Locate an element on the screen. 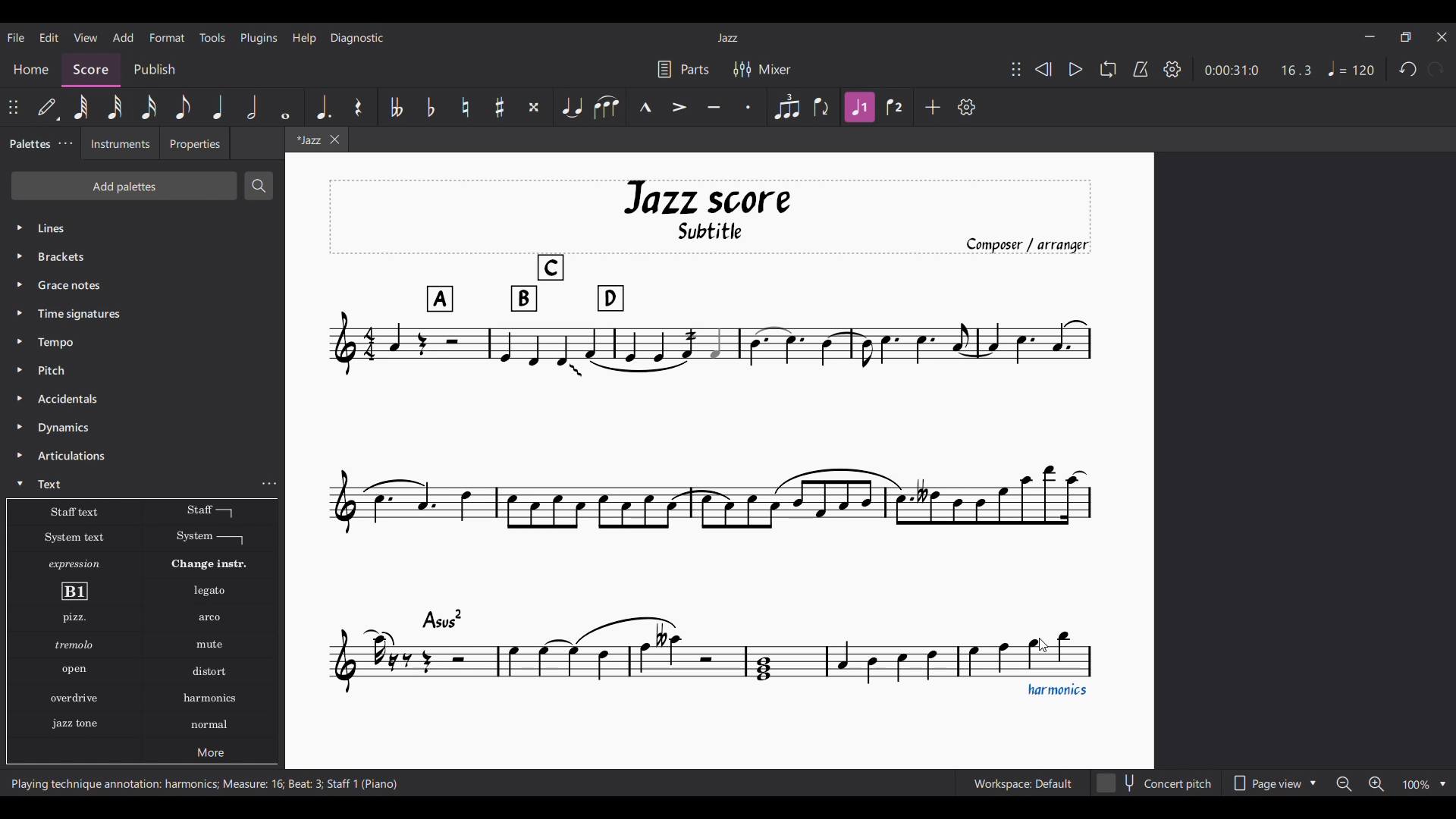  Pitch is located at coordinates (55, 370).